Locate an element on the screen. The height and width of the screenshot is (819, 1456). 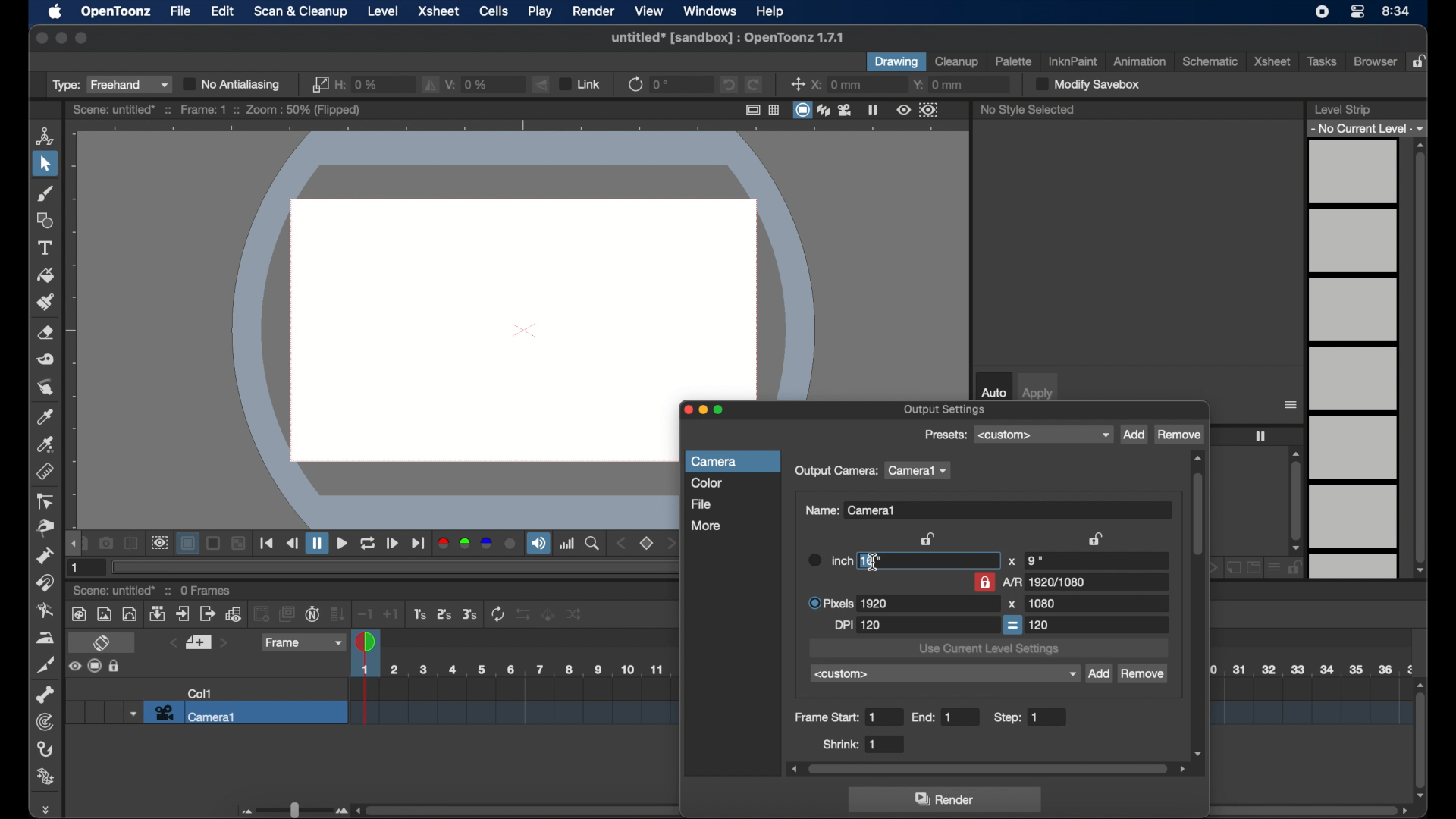
screen recorder icon is located at coordinates (1323, 11).